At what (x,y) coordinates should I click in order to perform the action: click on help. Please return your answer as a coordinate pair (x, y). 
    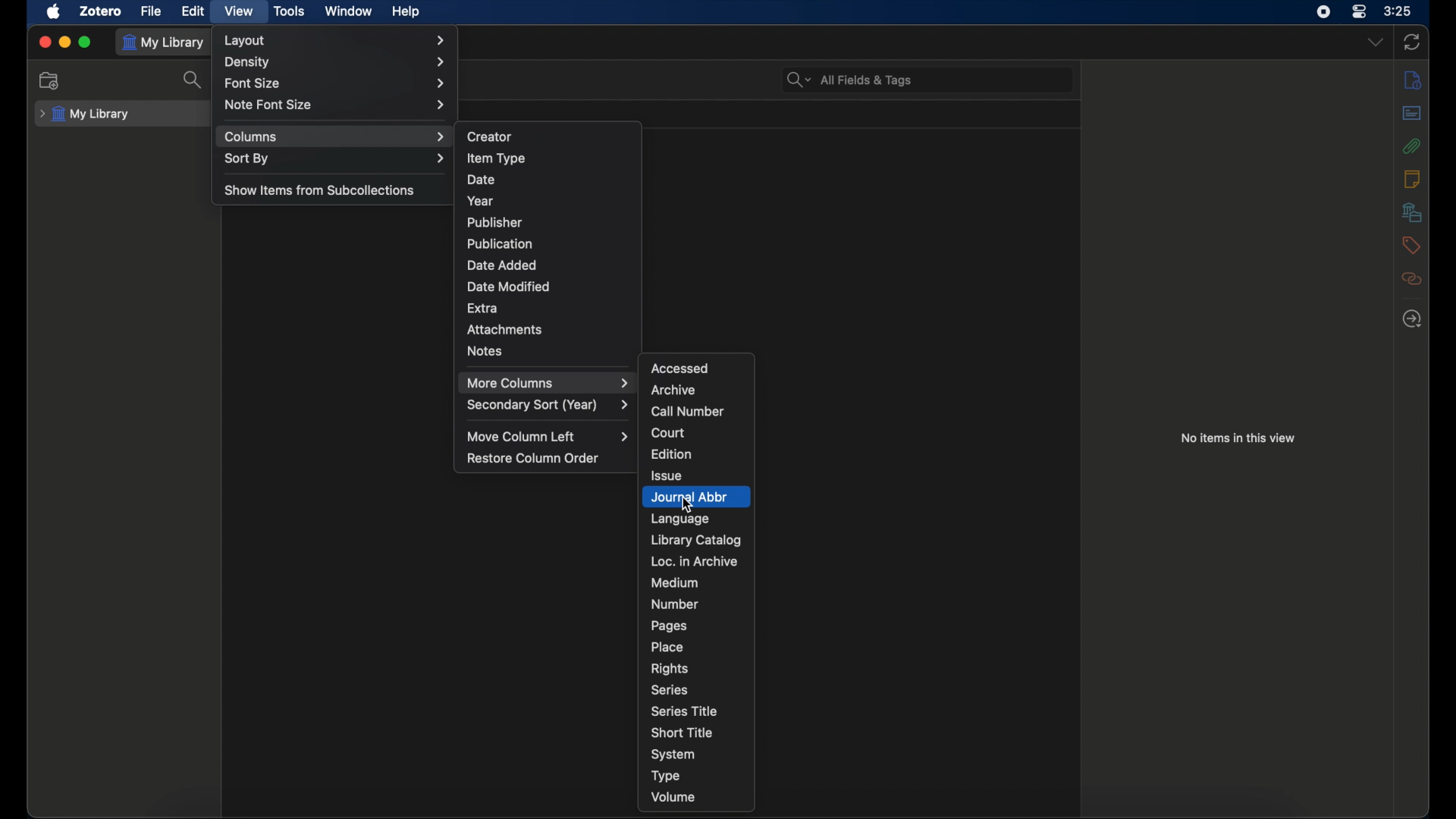
    Looking at the image, I should click on (406, 12).